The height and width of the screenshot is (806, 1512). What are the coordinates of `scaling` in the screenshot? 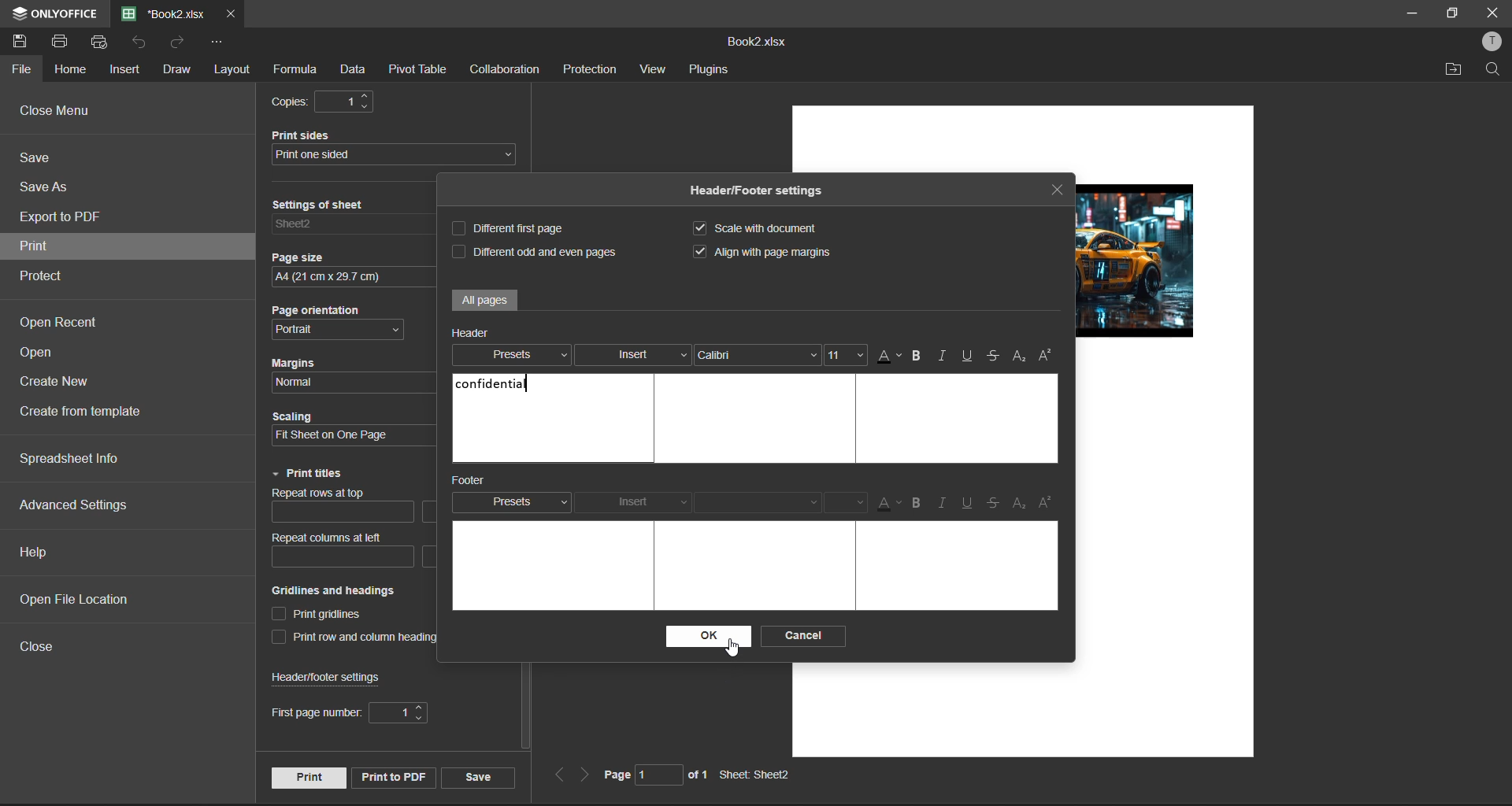 It's located at (342, 430).